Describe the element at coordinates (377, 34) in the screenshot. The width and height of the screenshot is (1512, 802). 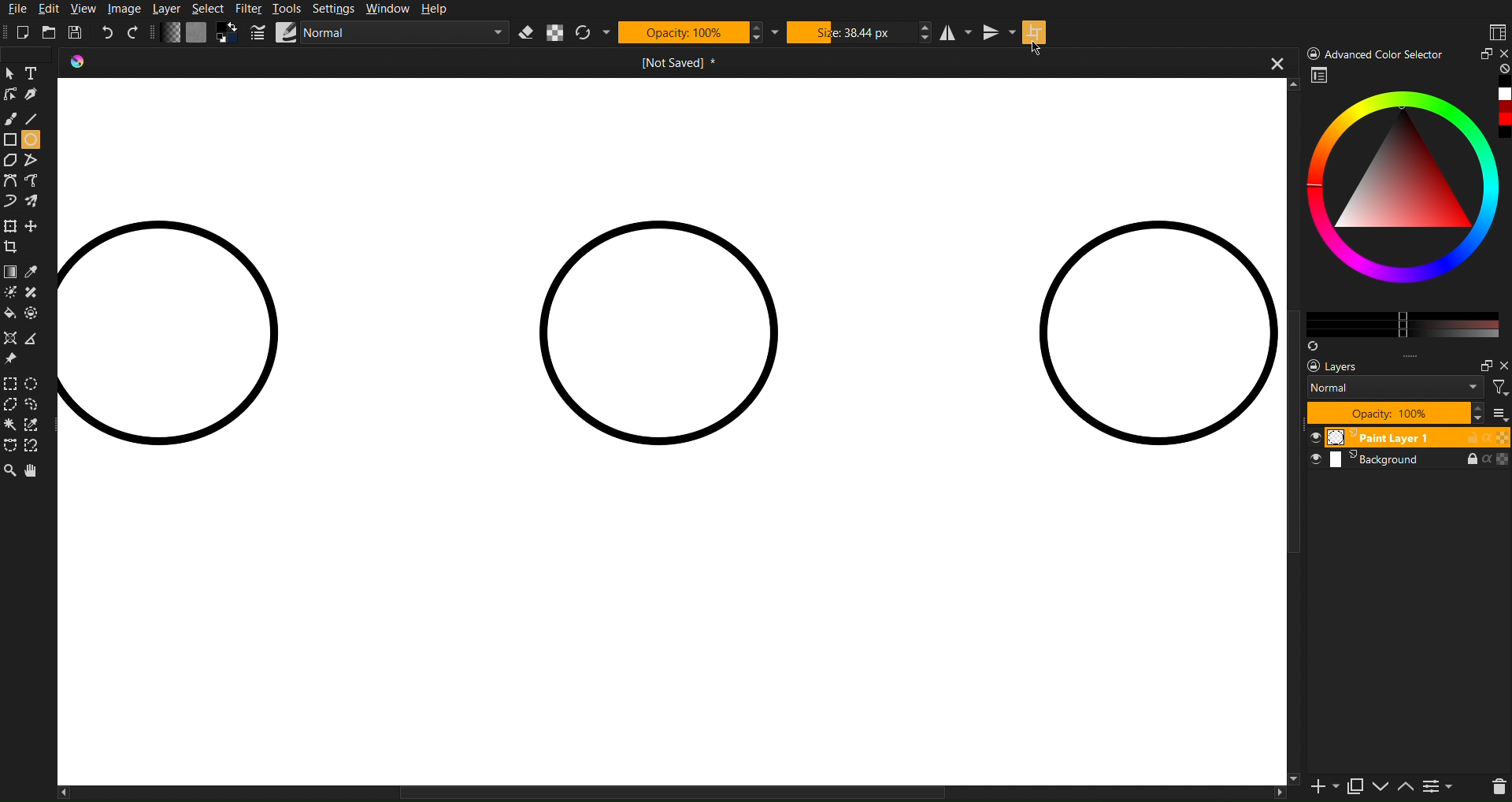
I see `Brush Settings` at that location.